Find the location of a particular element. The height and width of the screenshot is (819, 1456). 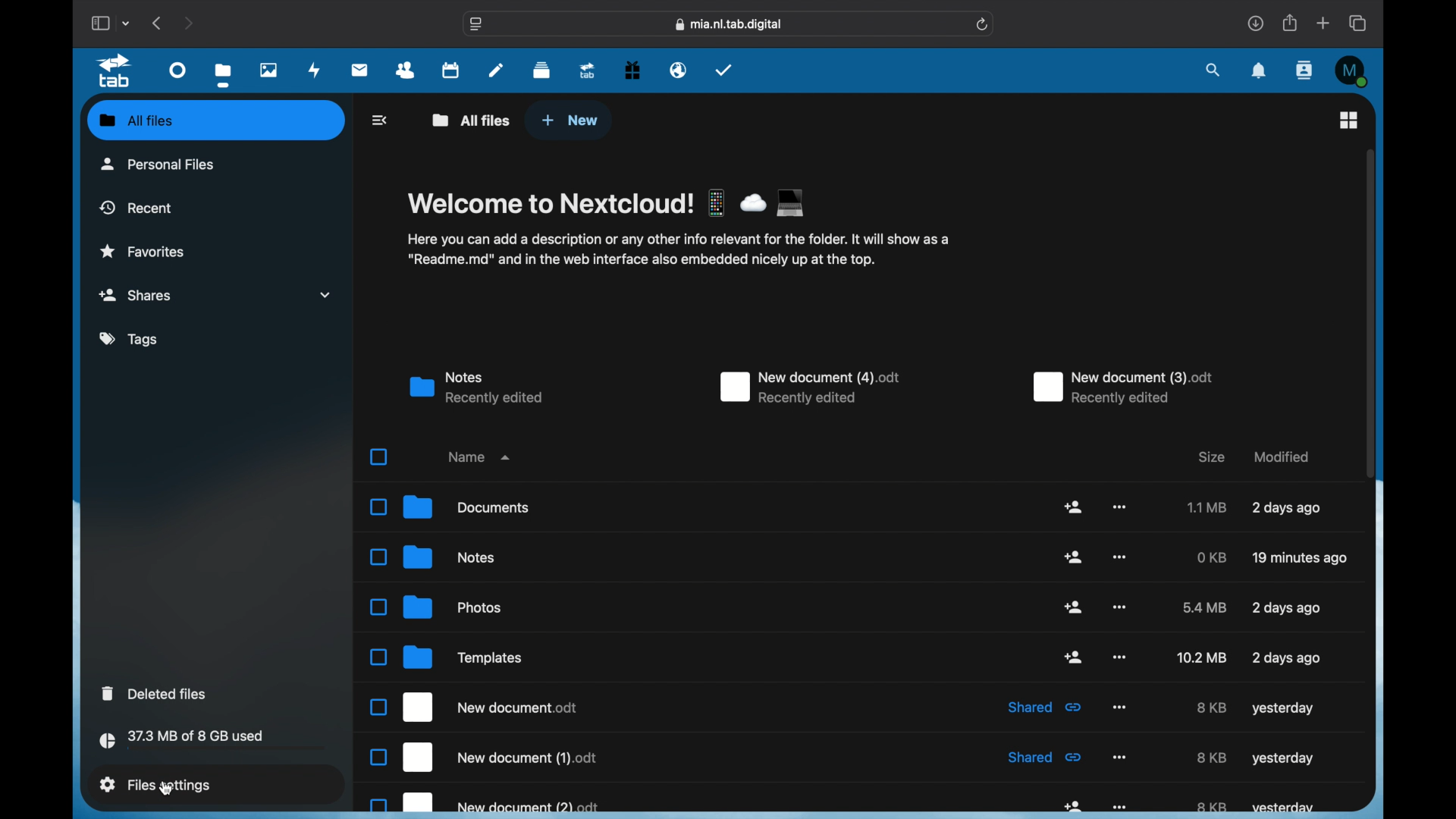

modified is located at coordinates (1286, 658).